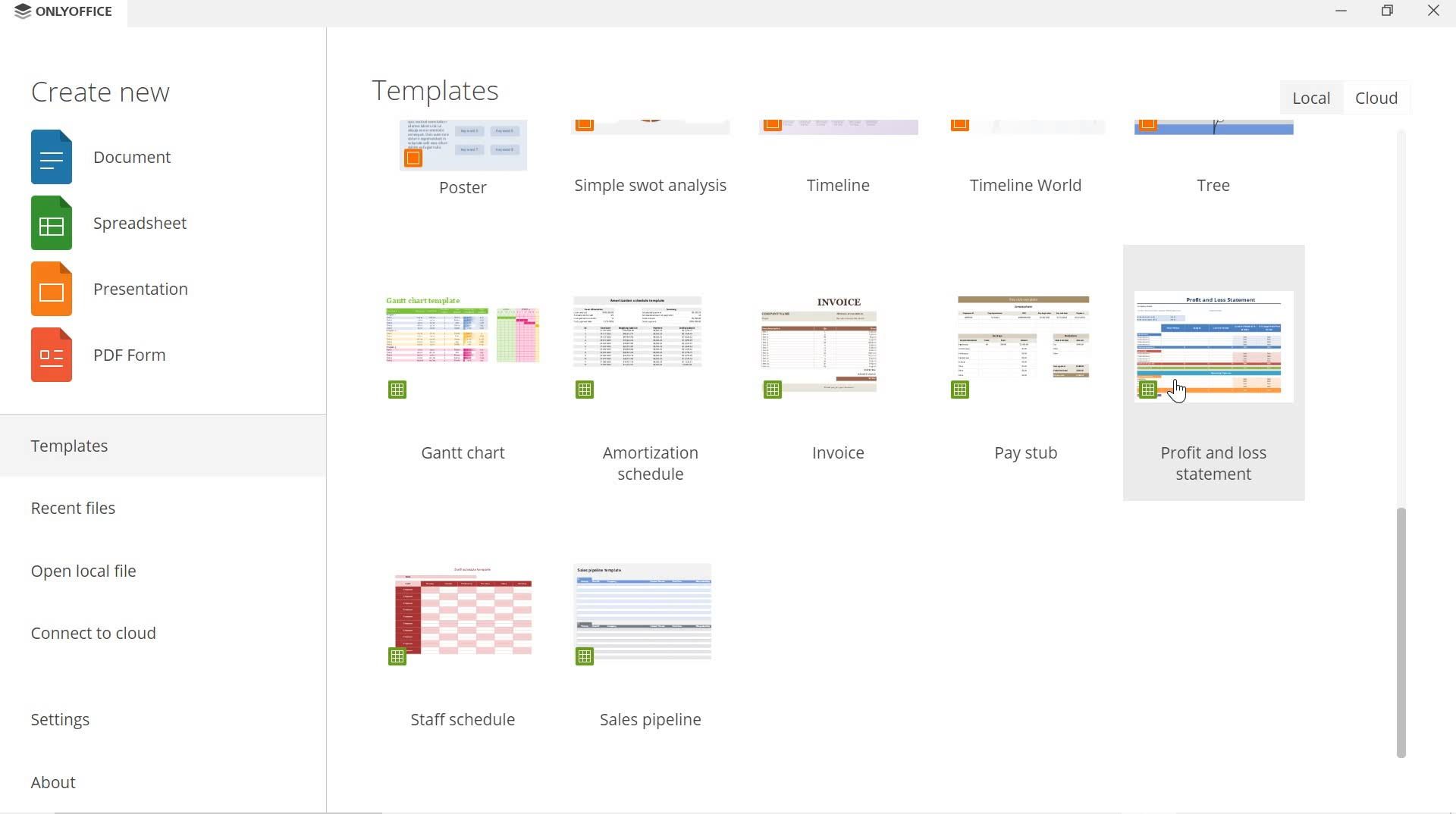 This screenshot has width=1456, height=814. I want to click on template design, so click(845, 129).